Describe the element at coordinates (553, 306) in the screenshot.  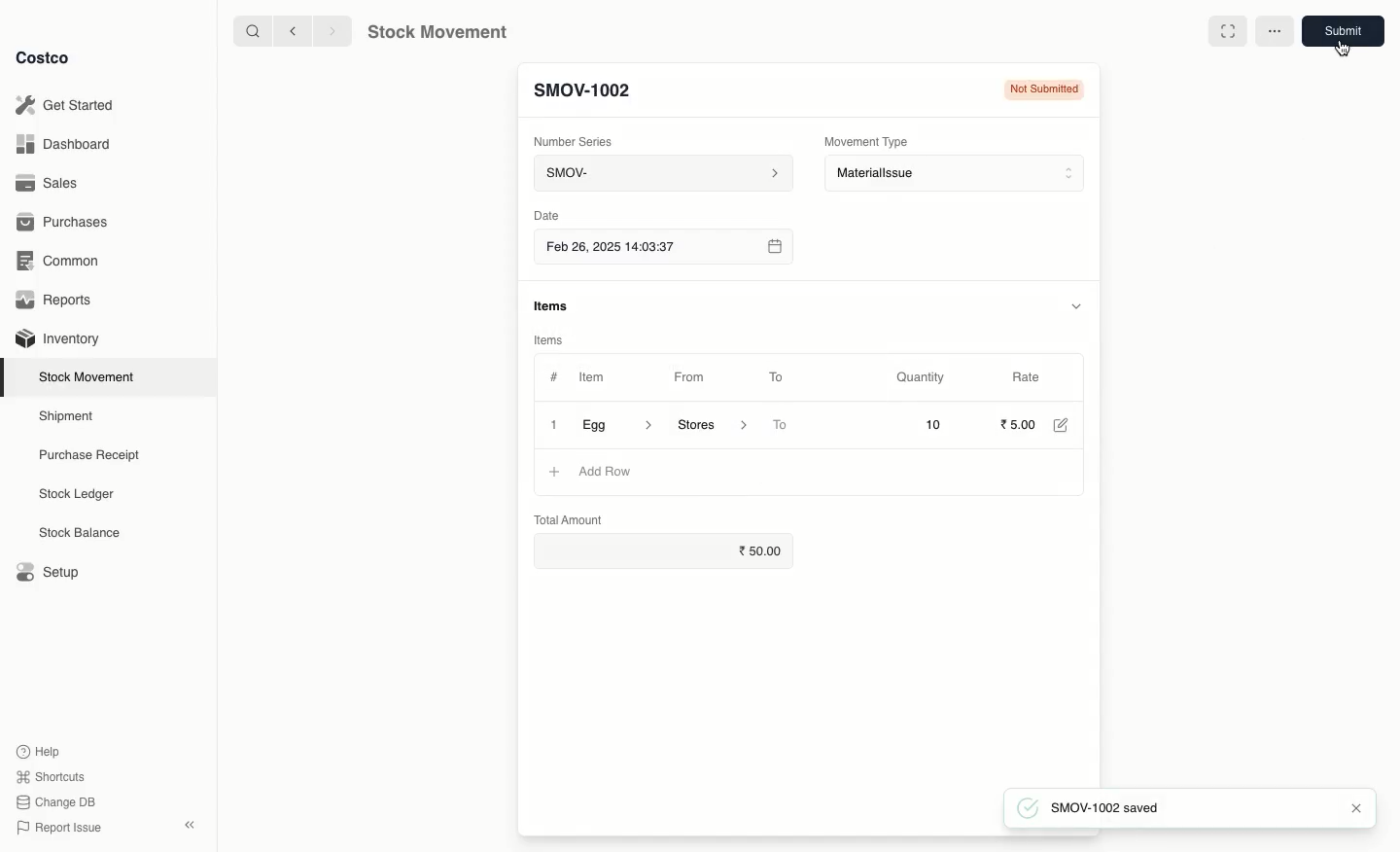
I see `items` at that location.